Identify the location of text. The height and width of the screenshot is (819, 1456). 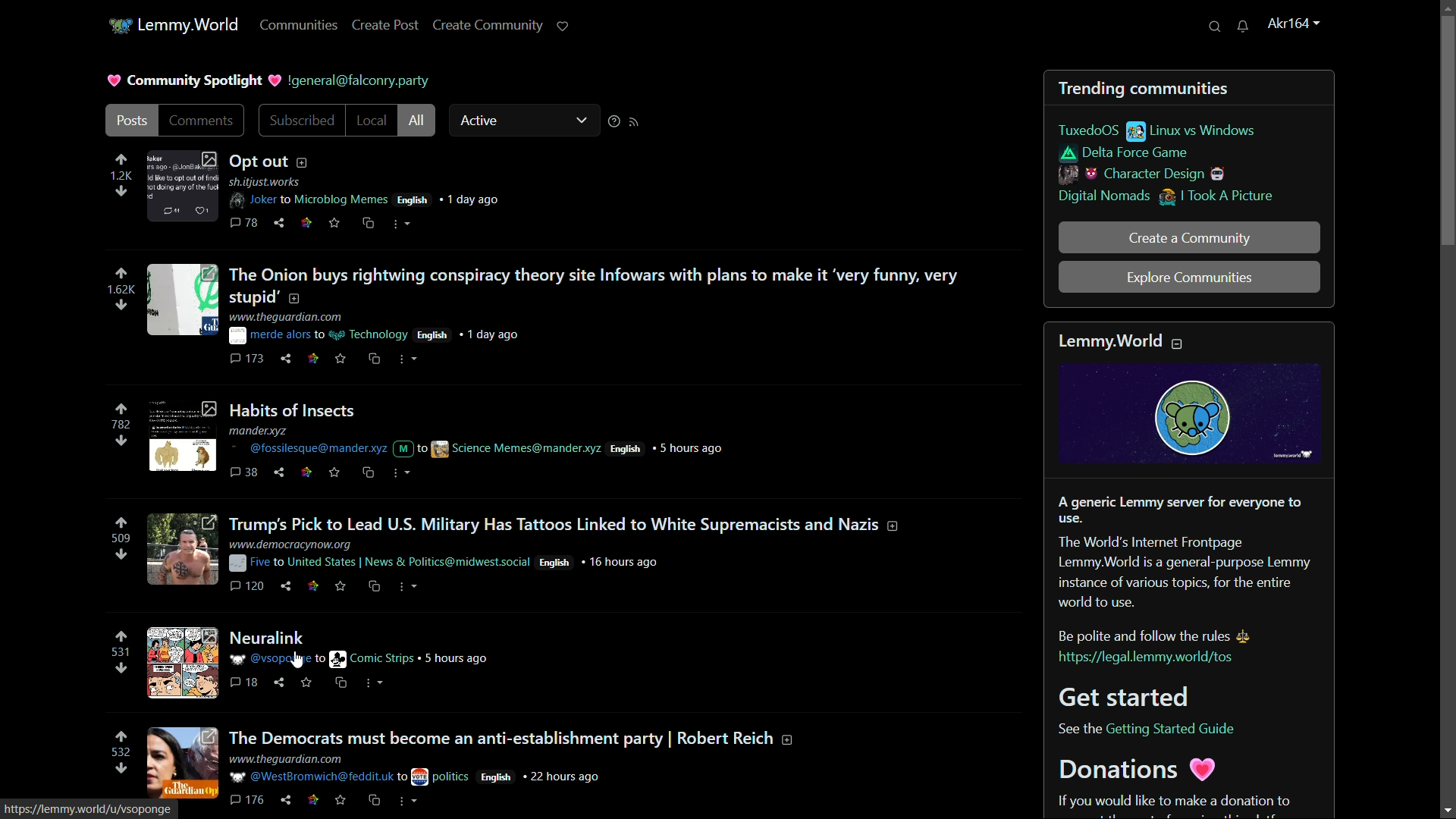
(1206, 785).